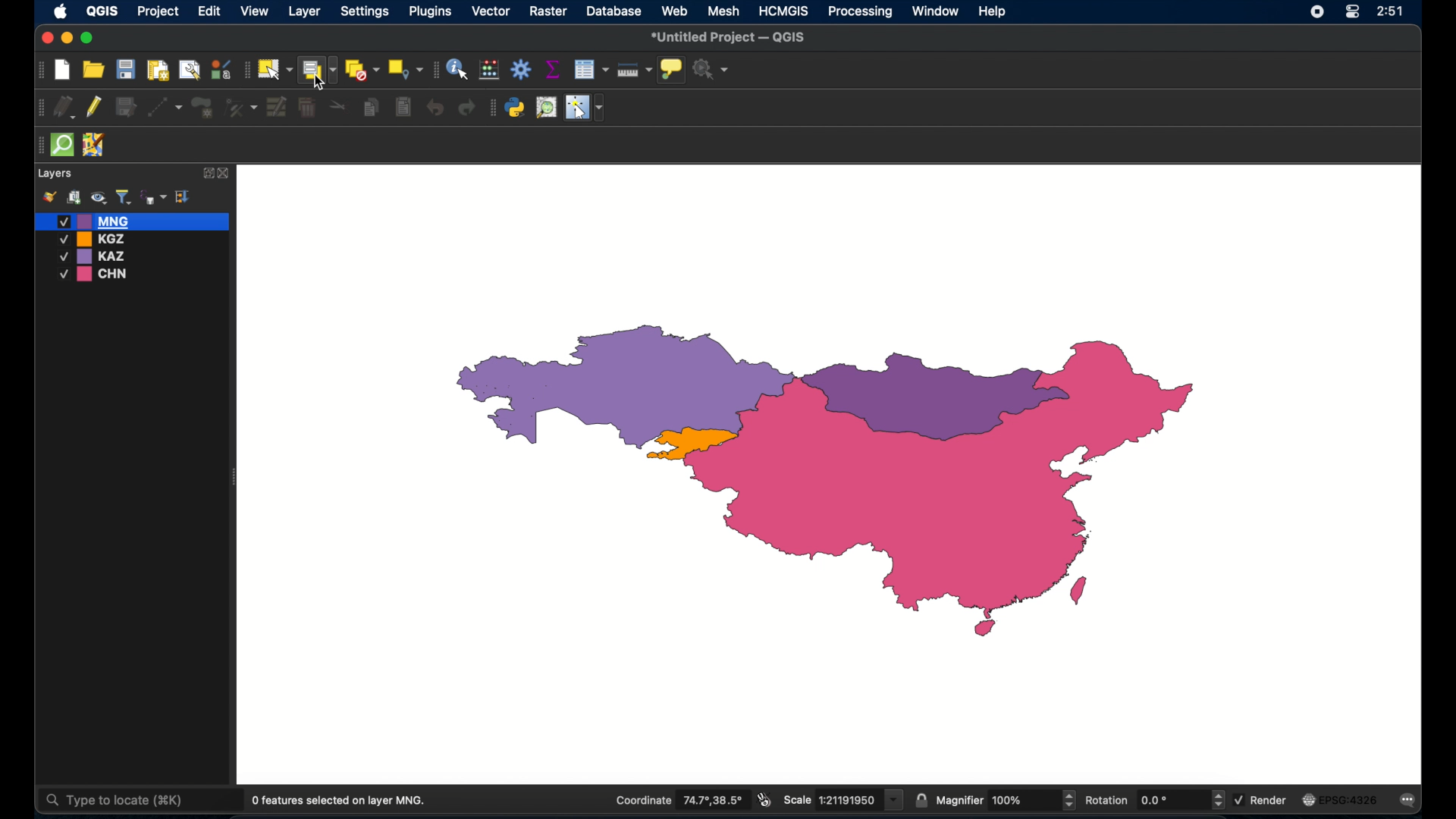 Image resolution: width=1456 pixels, height=819 pixels. Describe the element at coordinates (730, 37) in the screenshot. I see `untitled project - QGIS` at that location.